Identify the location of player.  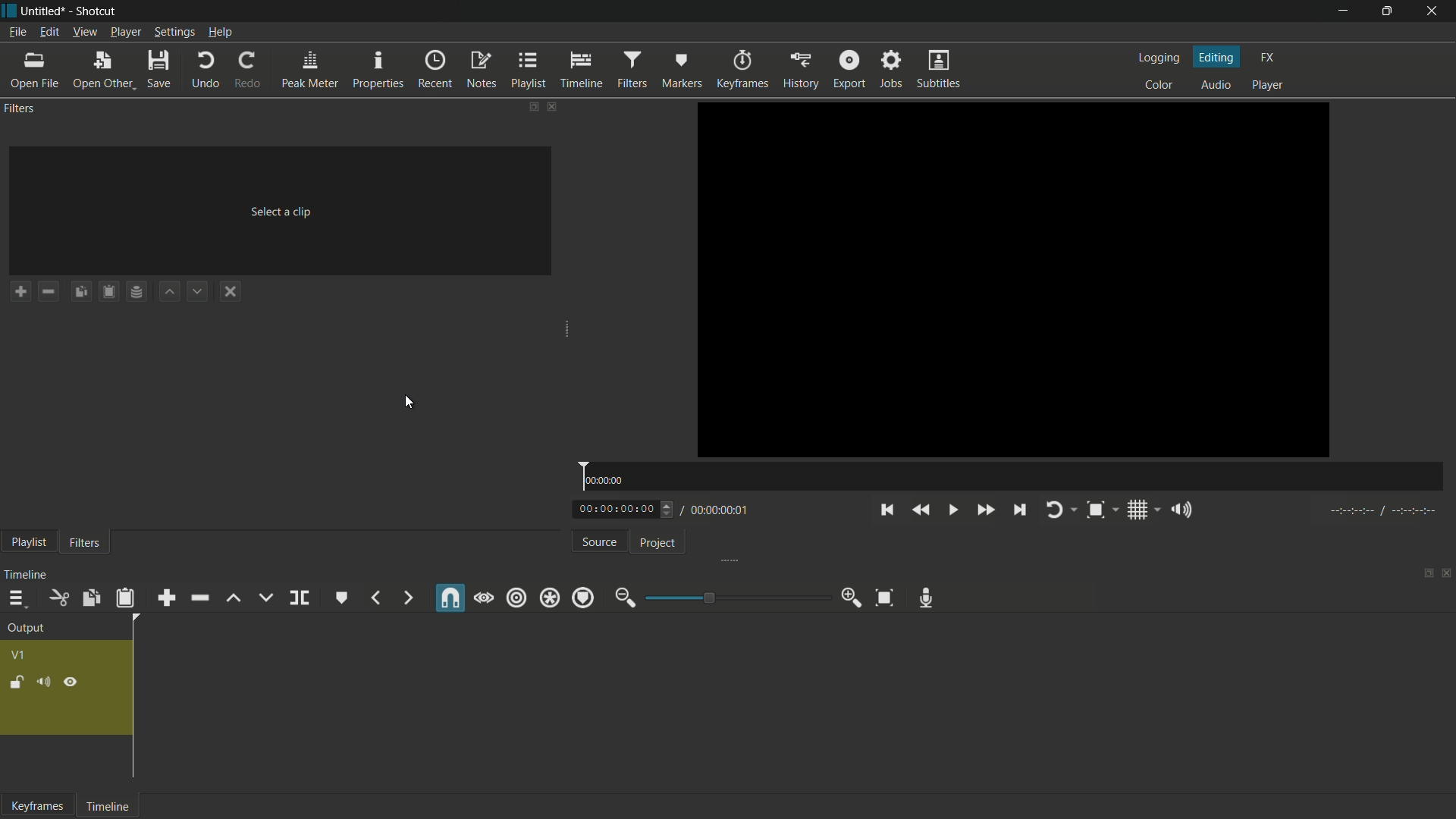
(1268, 86).